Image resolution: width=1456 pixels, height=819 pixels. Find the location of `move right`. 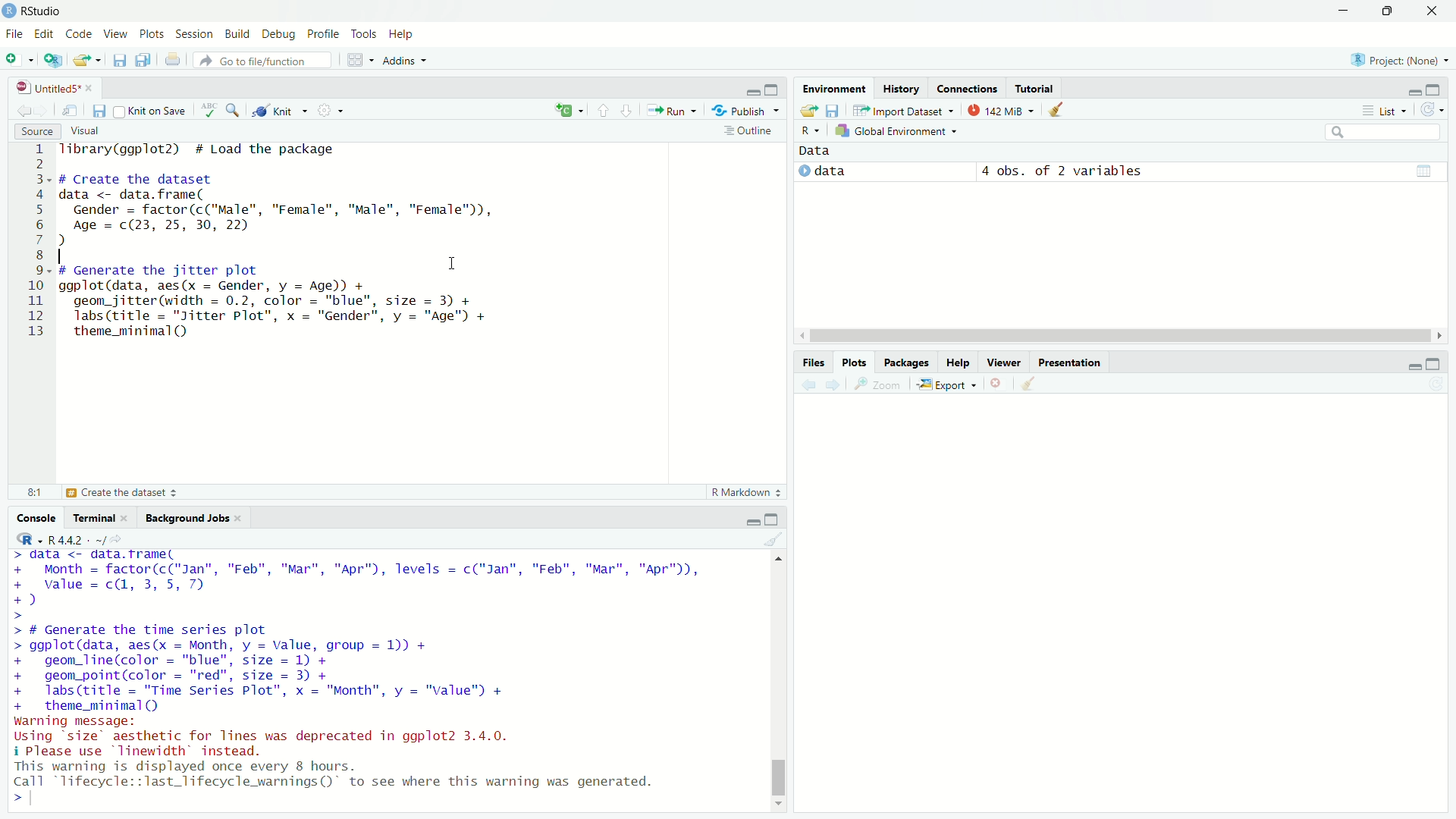

move right is located at coordinates (1439, 335).